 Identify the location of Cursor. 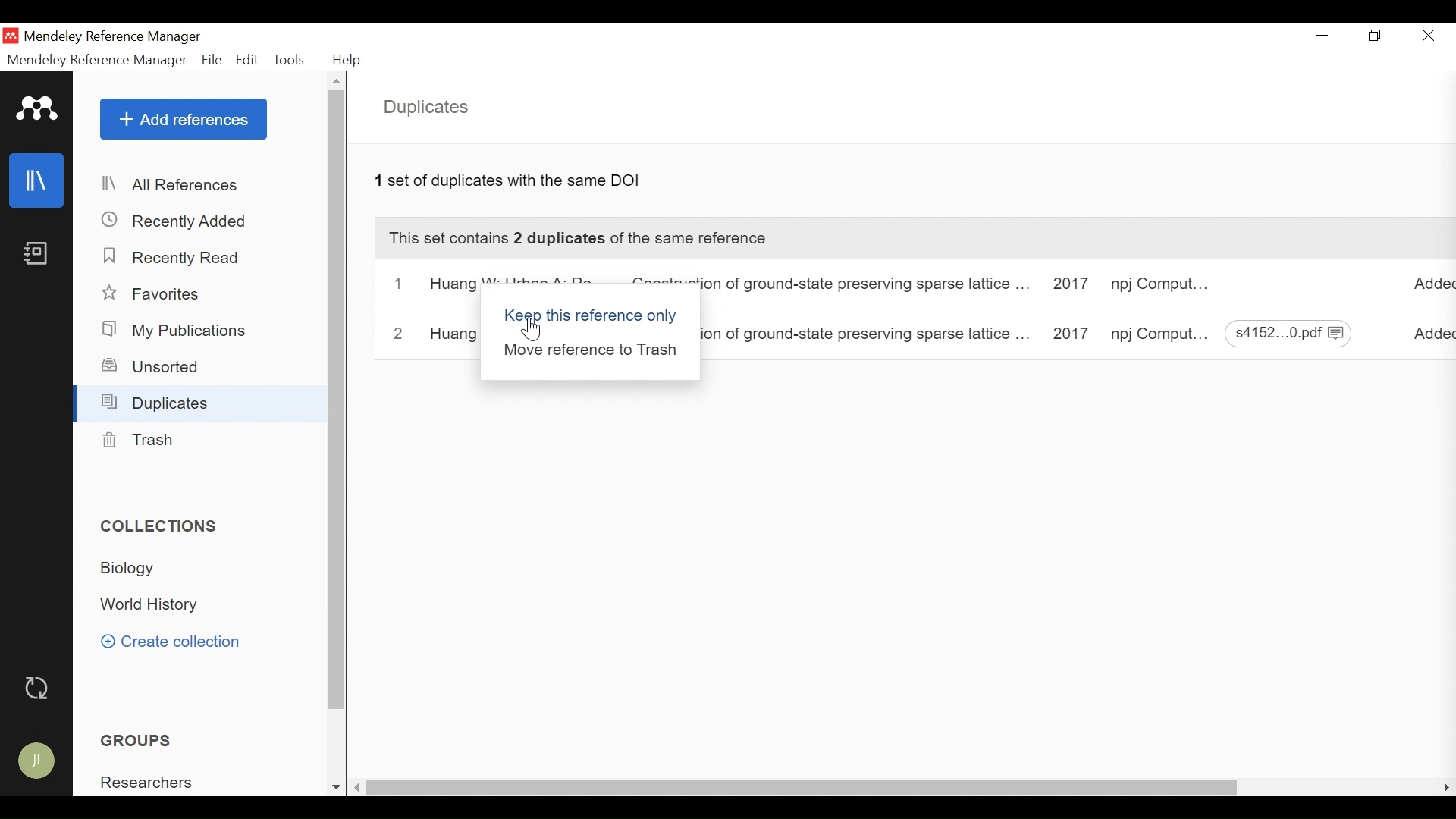
(535, 330).